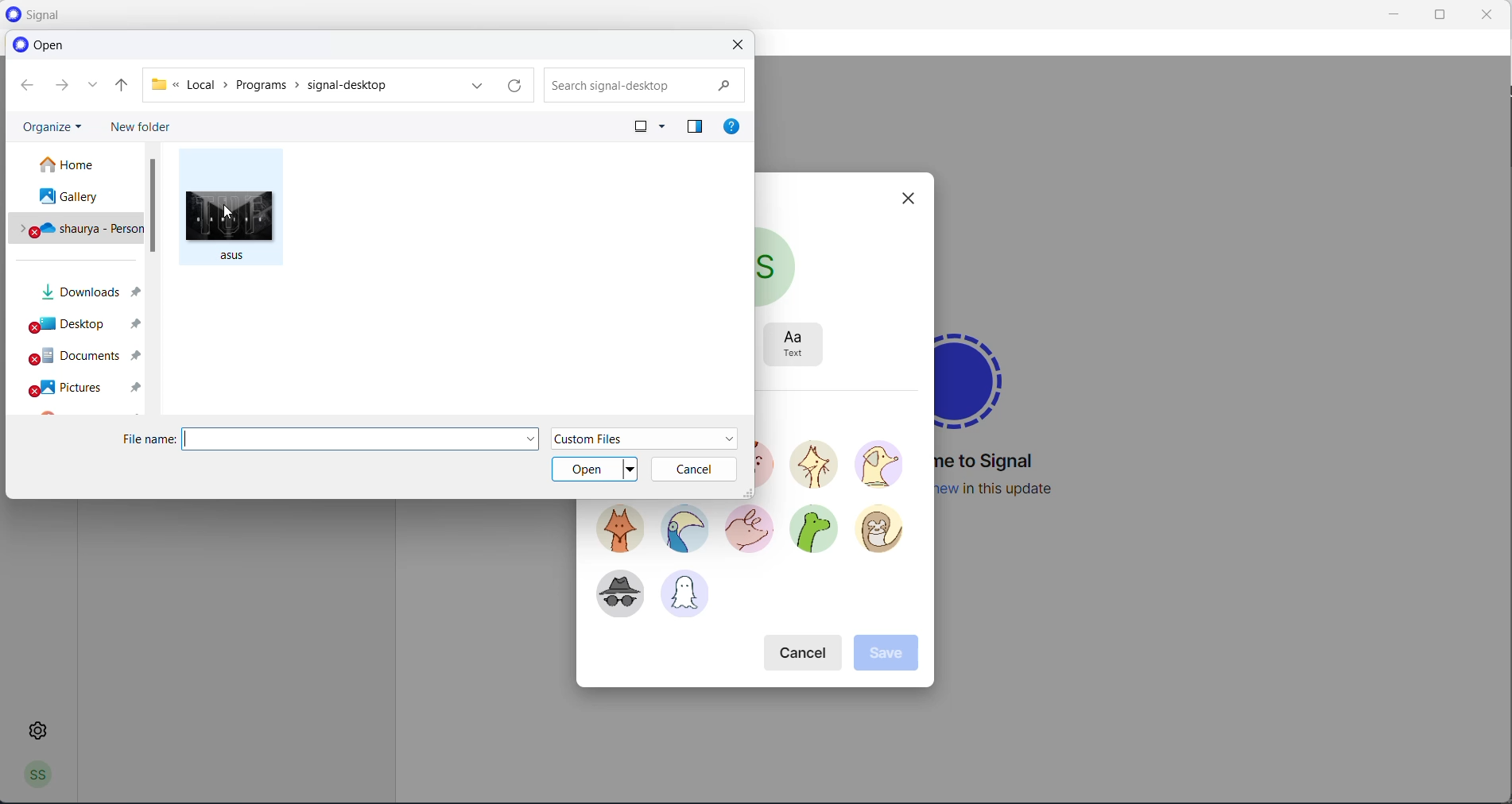 This screenshot has height=804, width=1512. I want to click on avatar, so click(682, 527).